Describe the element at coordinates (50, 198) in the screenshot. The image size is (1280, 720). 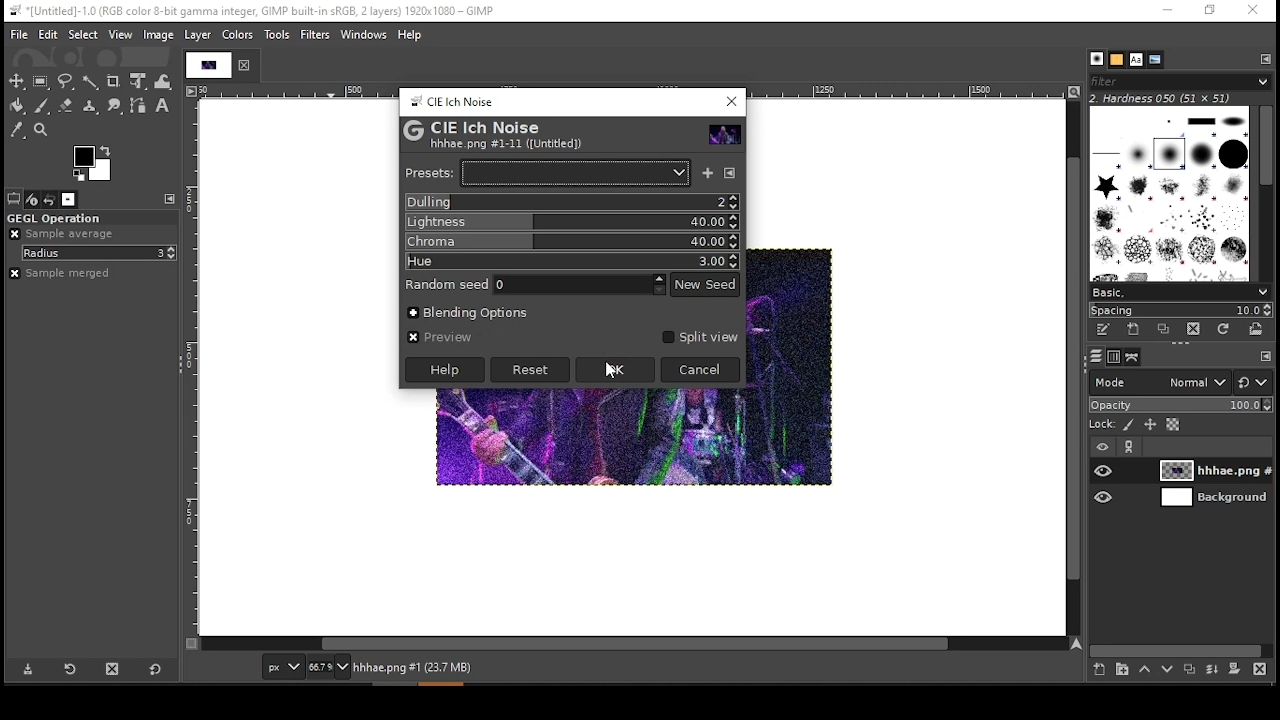
I see `undo history` at that location.